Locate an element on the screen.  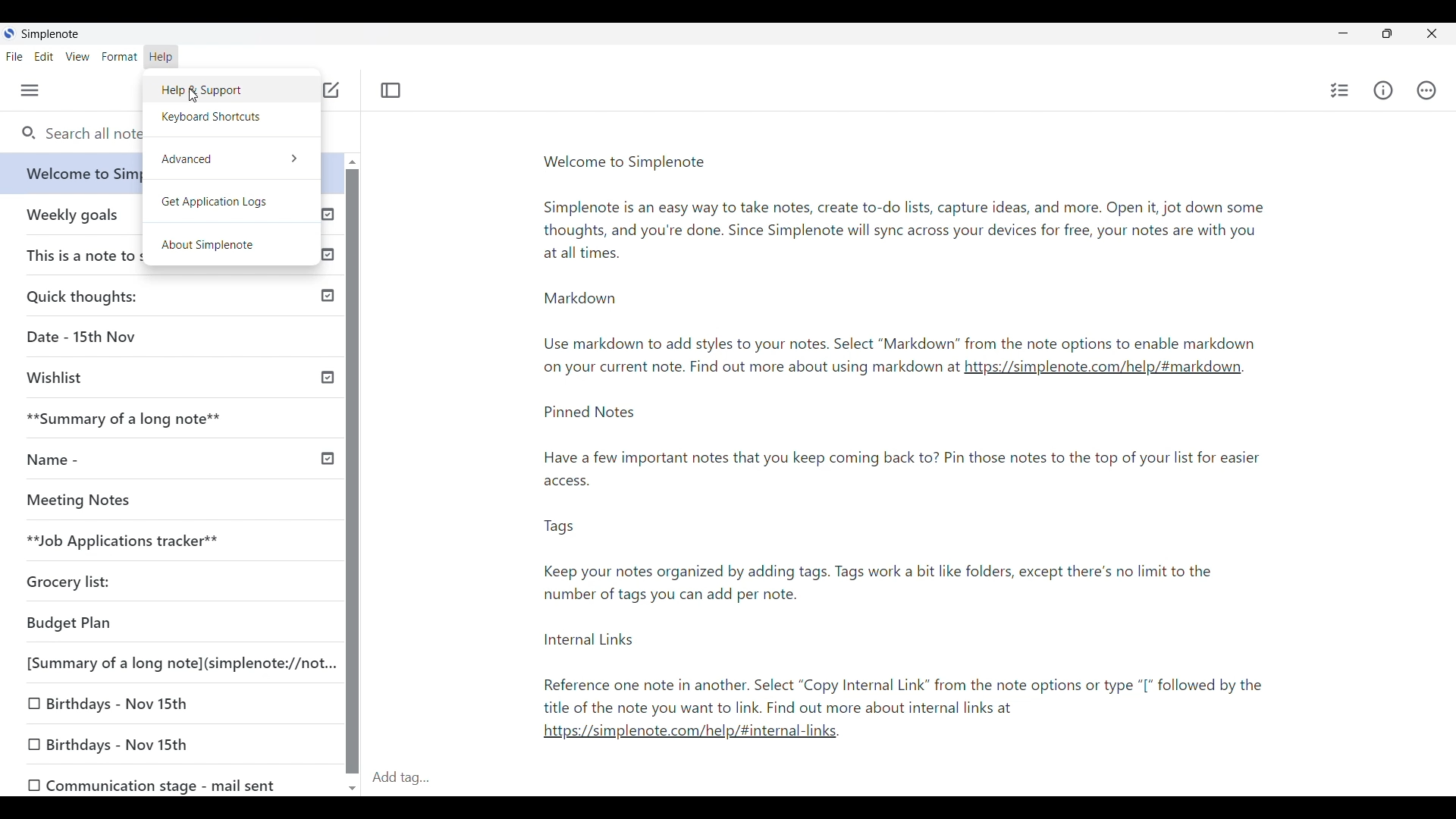
Quick thoughts: is located at coordinates (138, 296).